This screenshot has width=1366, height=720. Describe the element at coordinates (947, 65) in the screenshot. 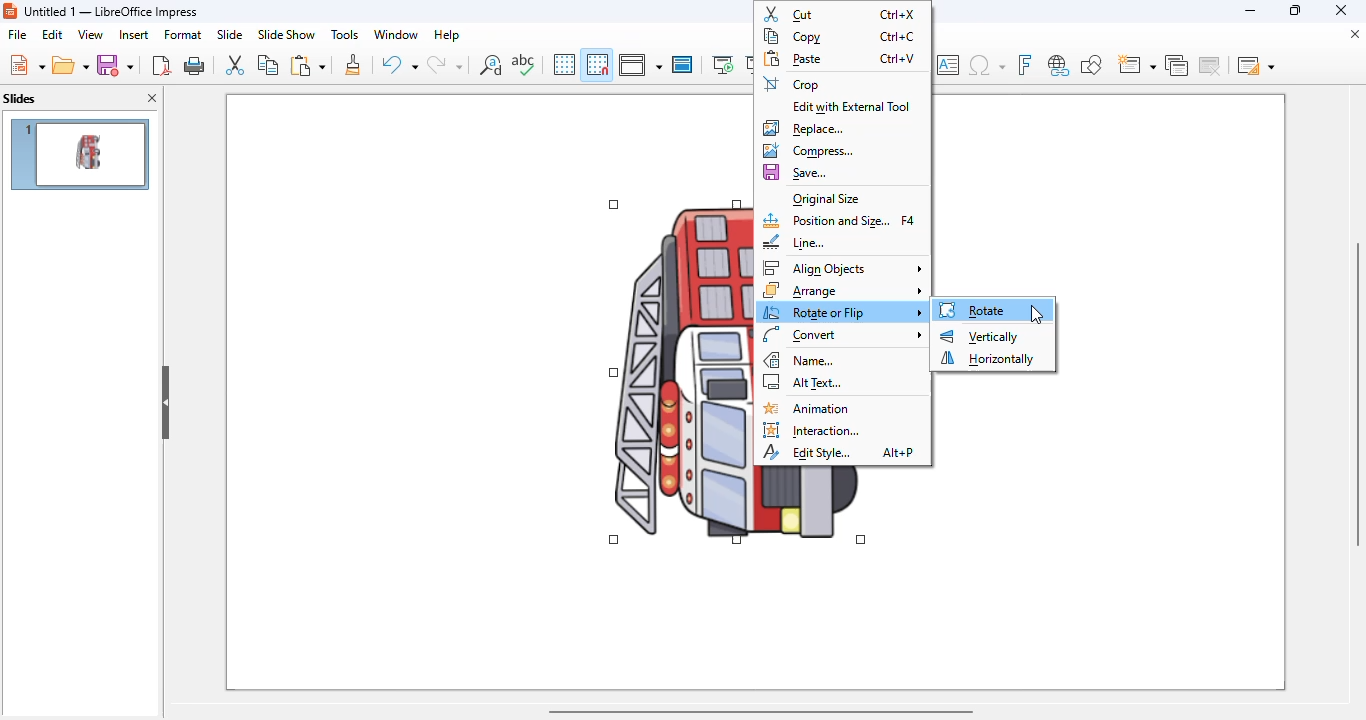

I see `insert text box` at that location.